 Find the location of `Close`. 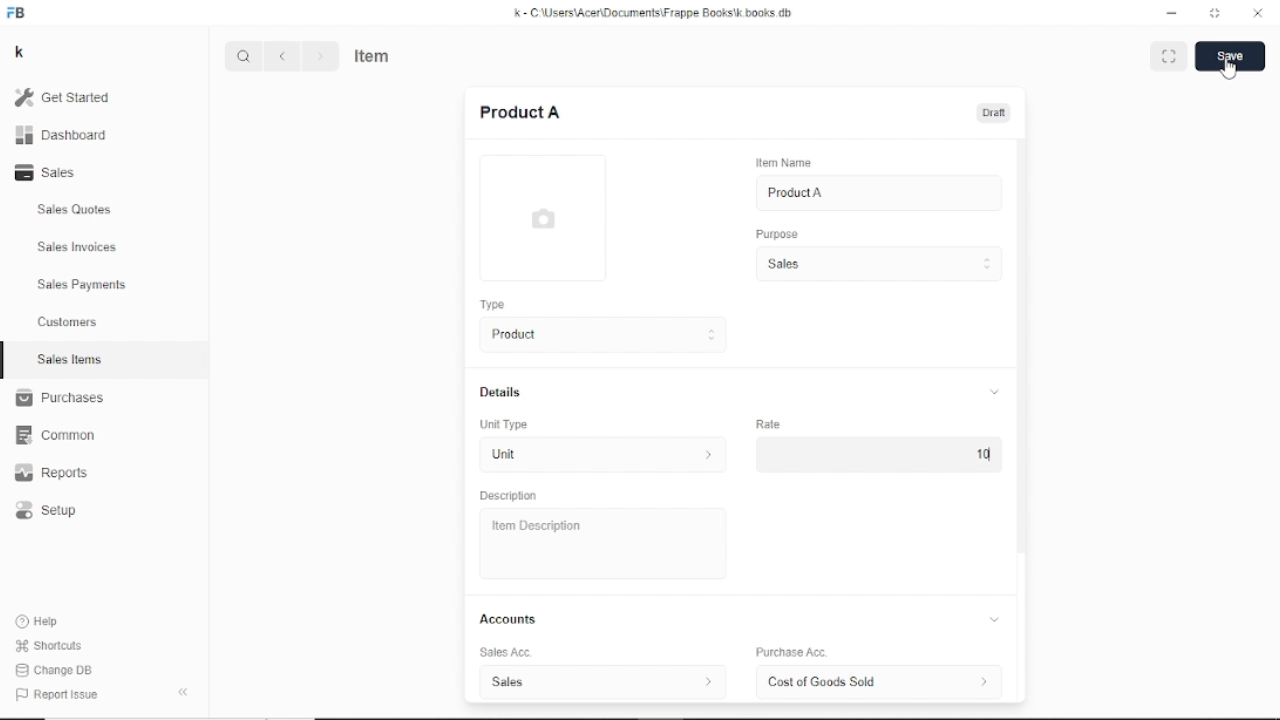

Close is located at coordinates (1258, 13).